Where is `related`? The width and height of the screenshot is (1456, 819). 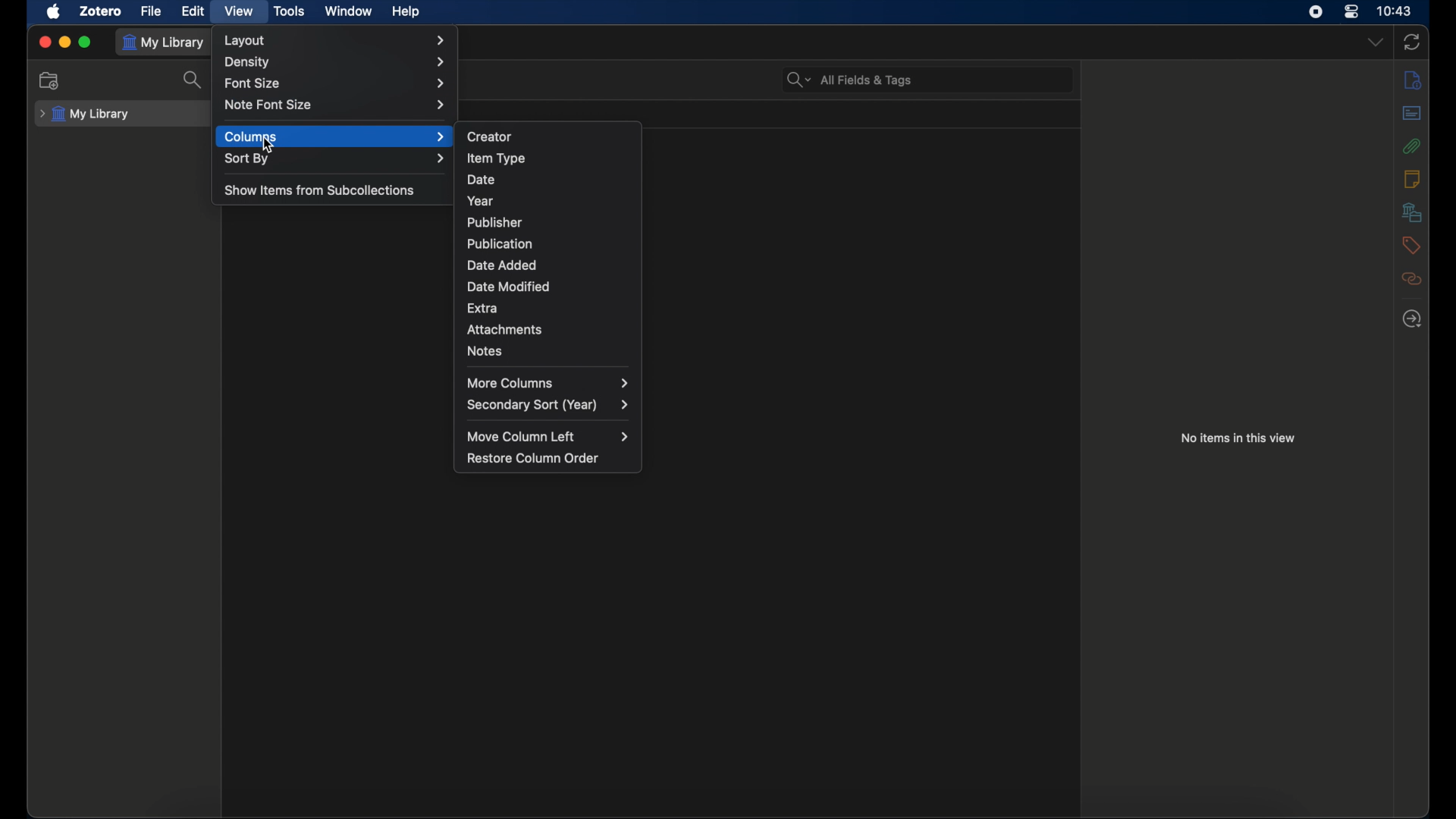
related is located at coordinates (1411, 278).